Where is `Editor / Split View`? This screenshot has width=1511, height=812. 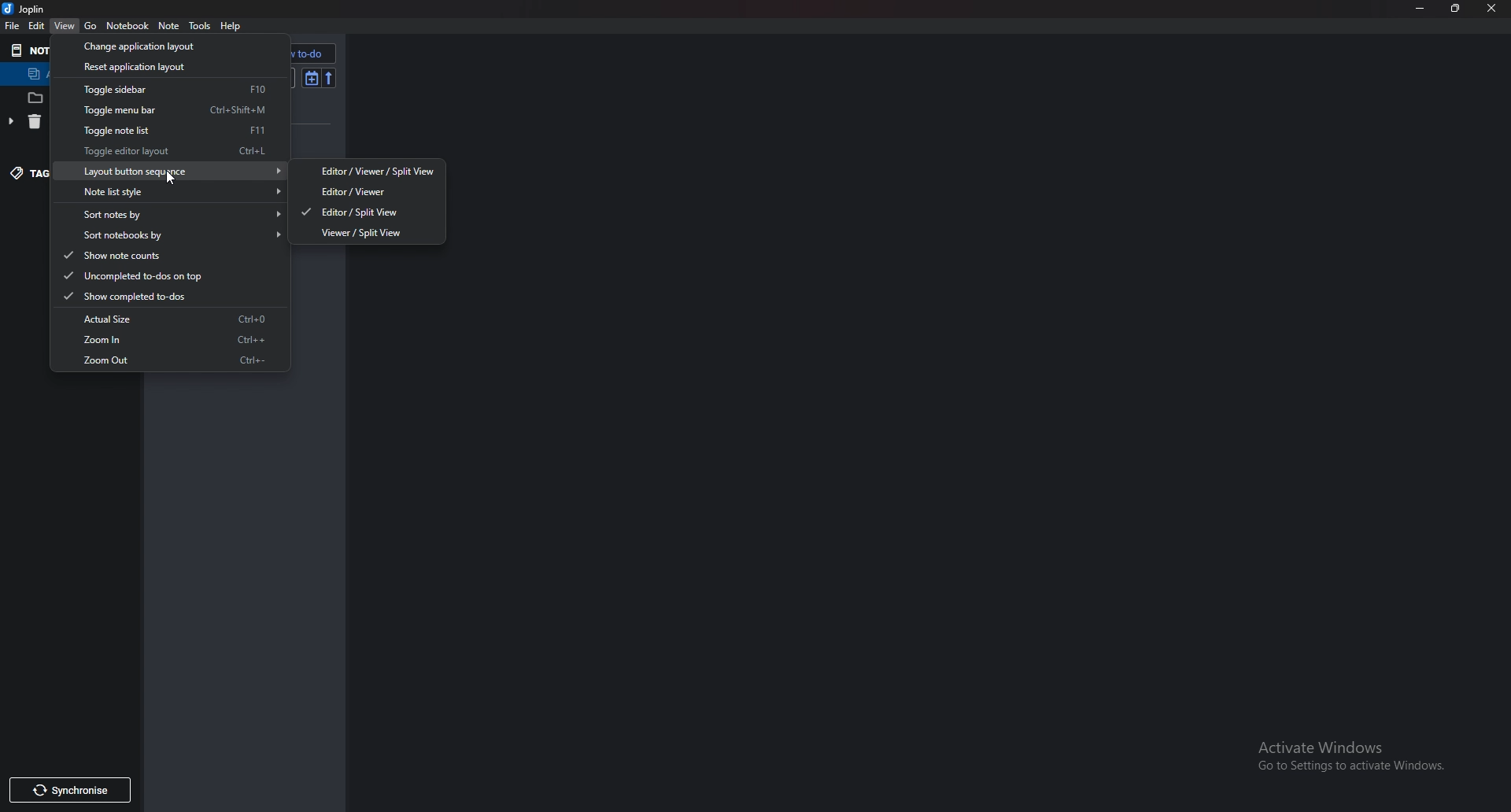 Editor / Split View is located at coordinates (352, 212).